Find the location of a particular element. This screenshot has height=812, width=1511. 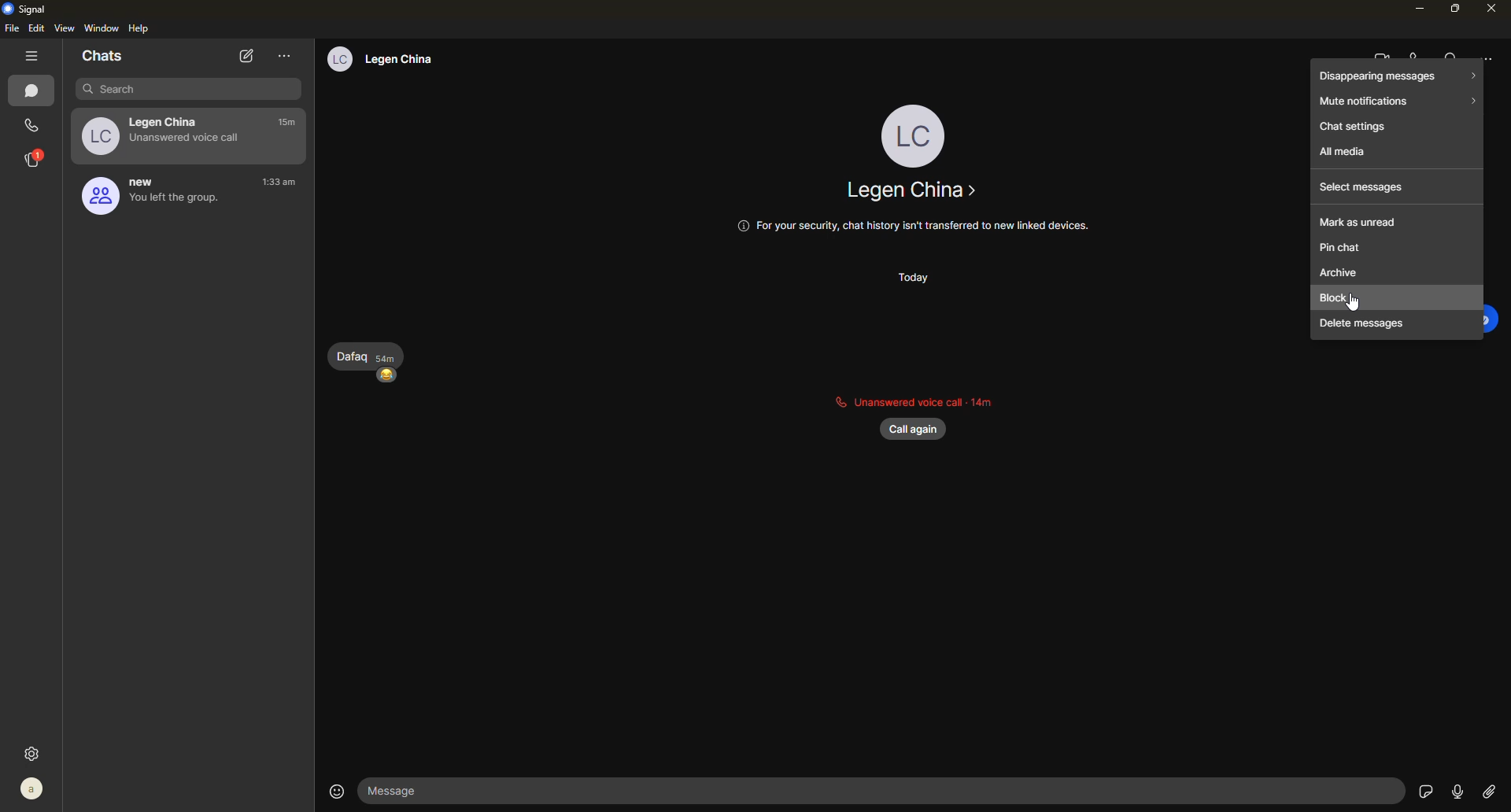

chats is located at coordinates (106, 55).